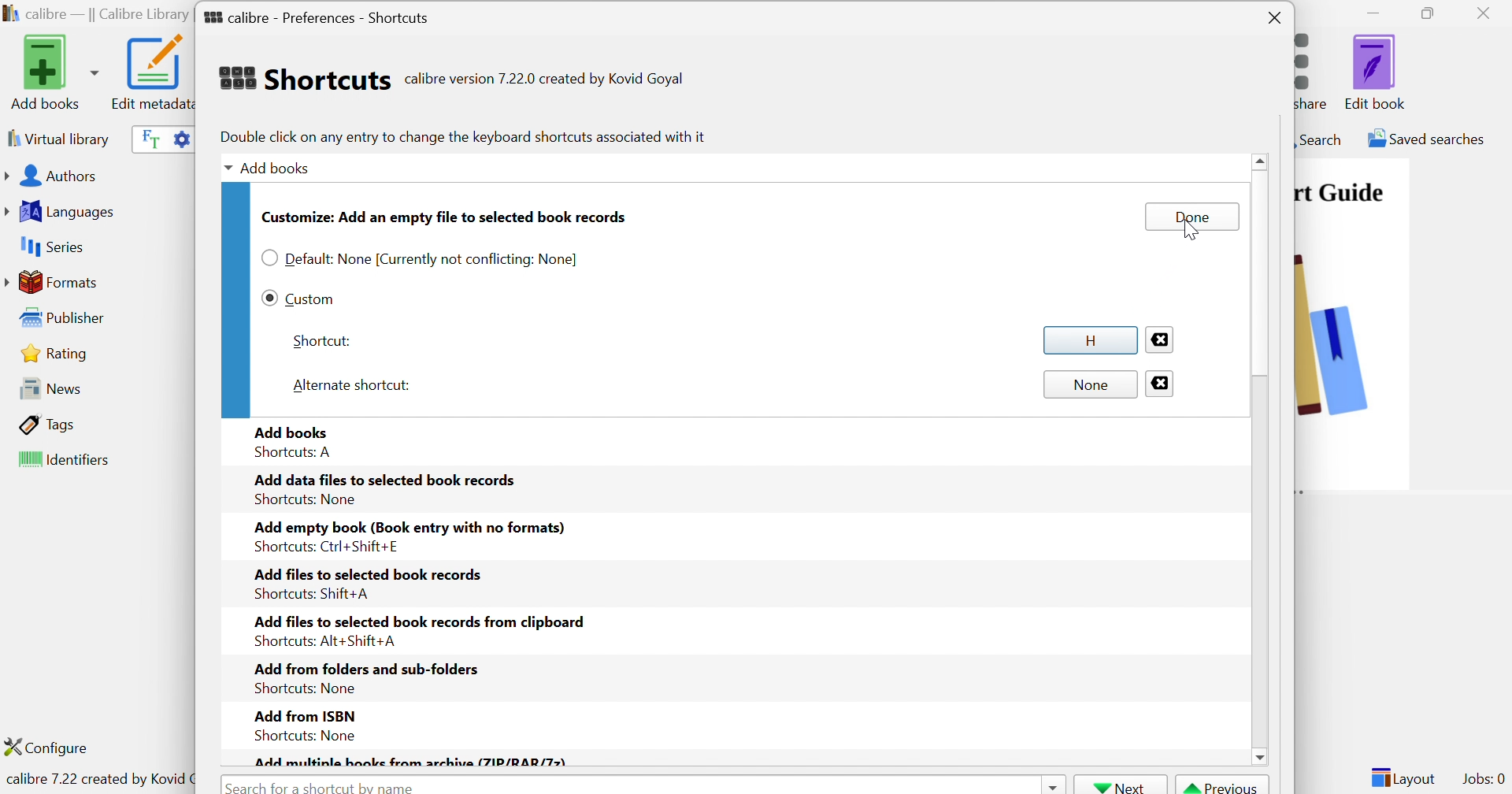  I want to click on Add files to selected book records, so click(369, 573).